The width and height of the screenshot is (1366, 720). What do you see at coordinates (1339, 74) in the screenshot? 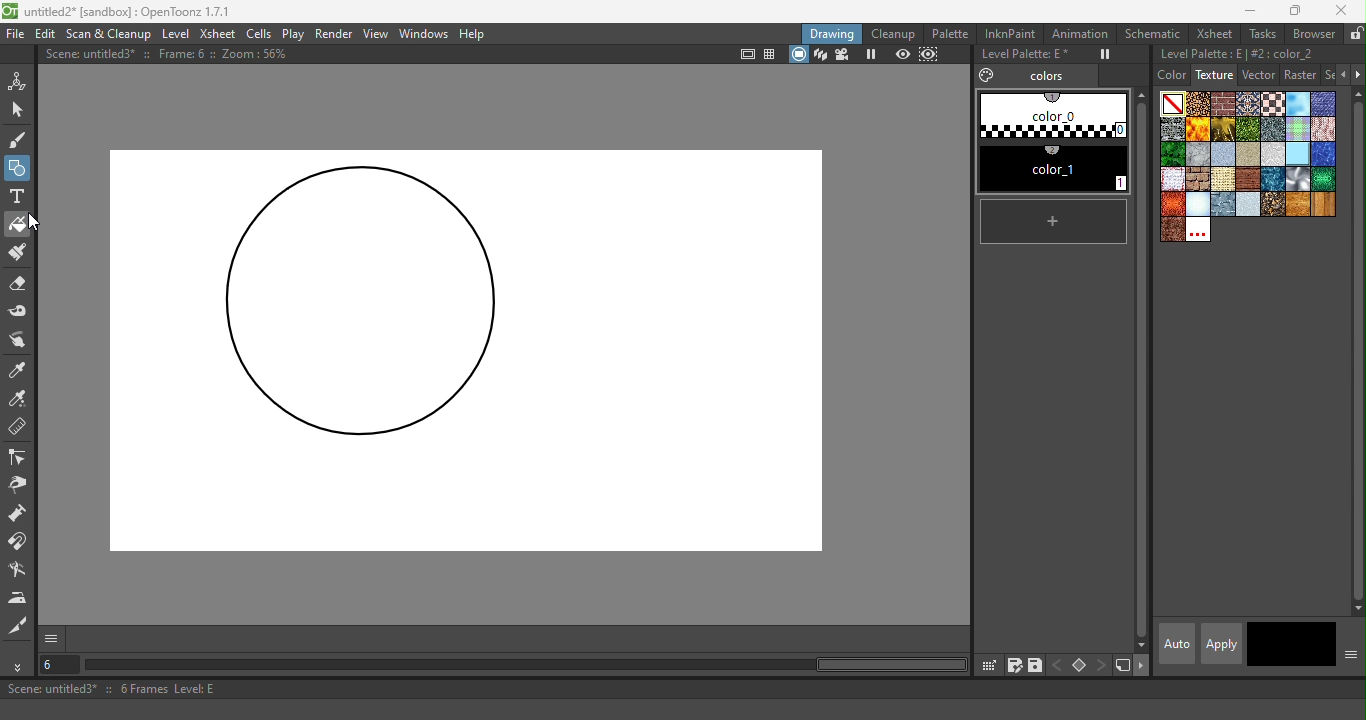
I see `Previous` at bounding box center [1339, 74].